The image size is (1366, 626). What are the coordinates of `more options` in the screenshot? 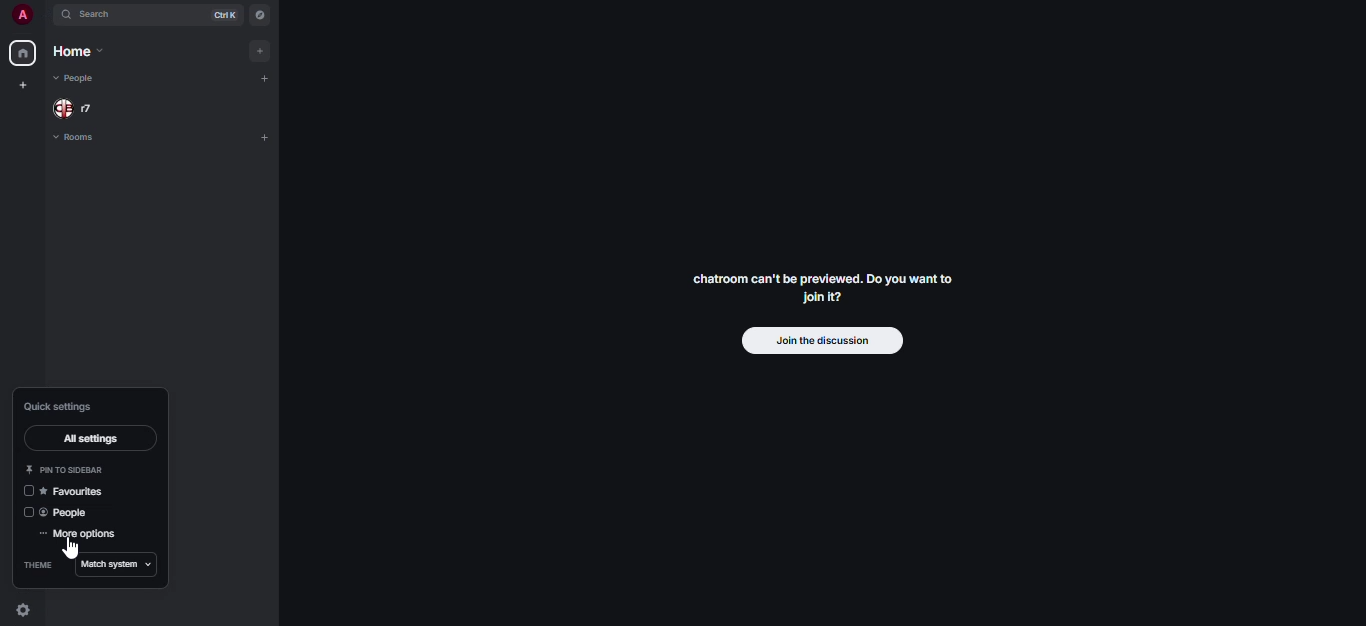 It's located at (84, 534).